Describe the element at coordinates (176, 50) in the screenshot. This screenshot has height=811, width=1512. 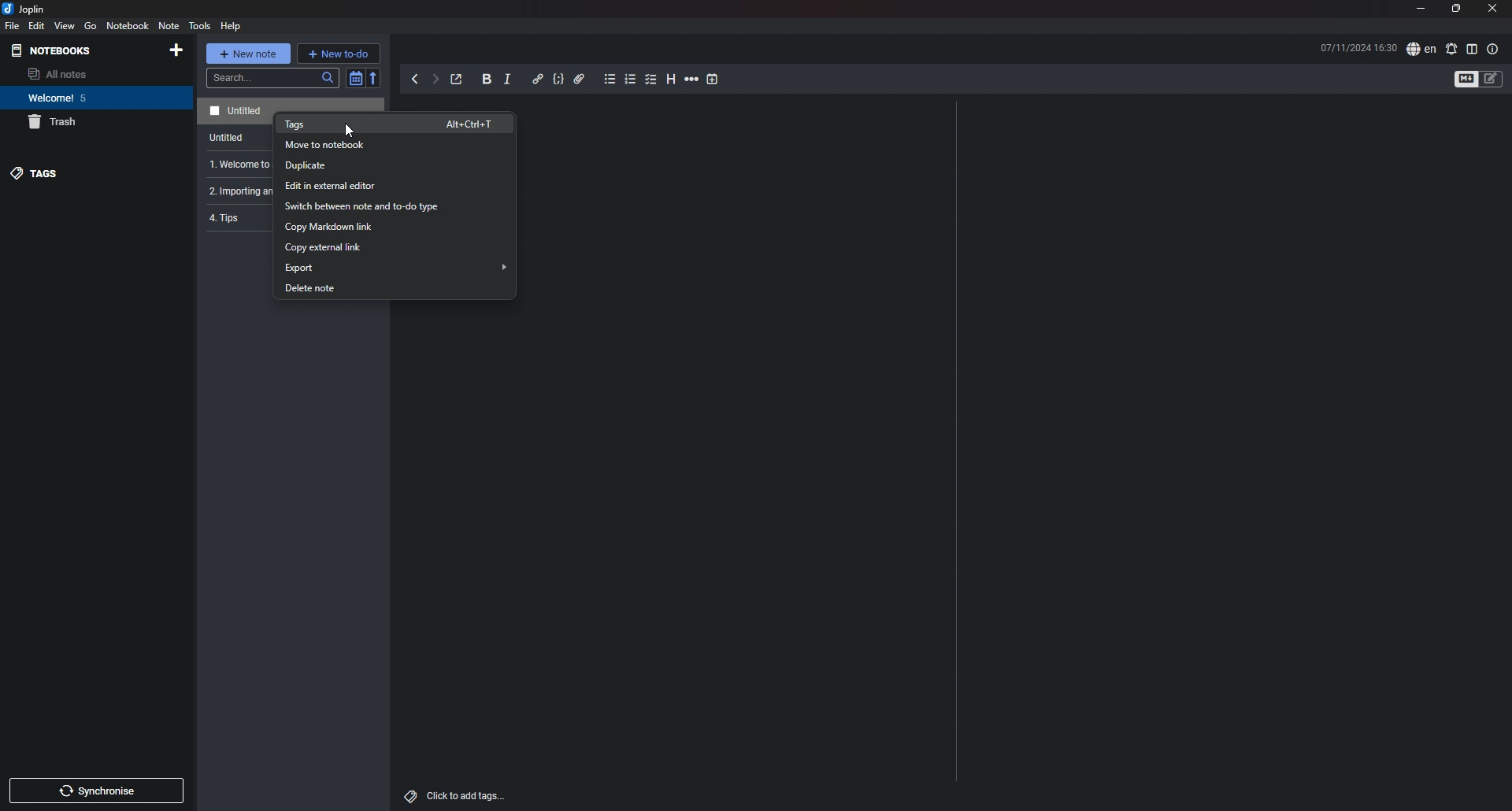
I see `add notebook` at that location.